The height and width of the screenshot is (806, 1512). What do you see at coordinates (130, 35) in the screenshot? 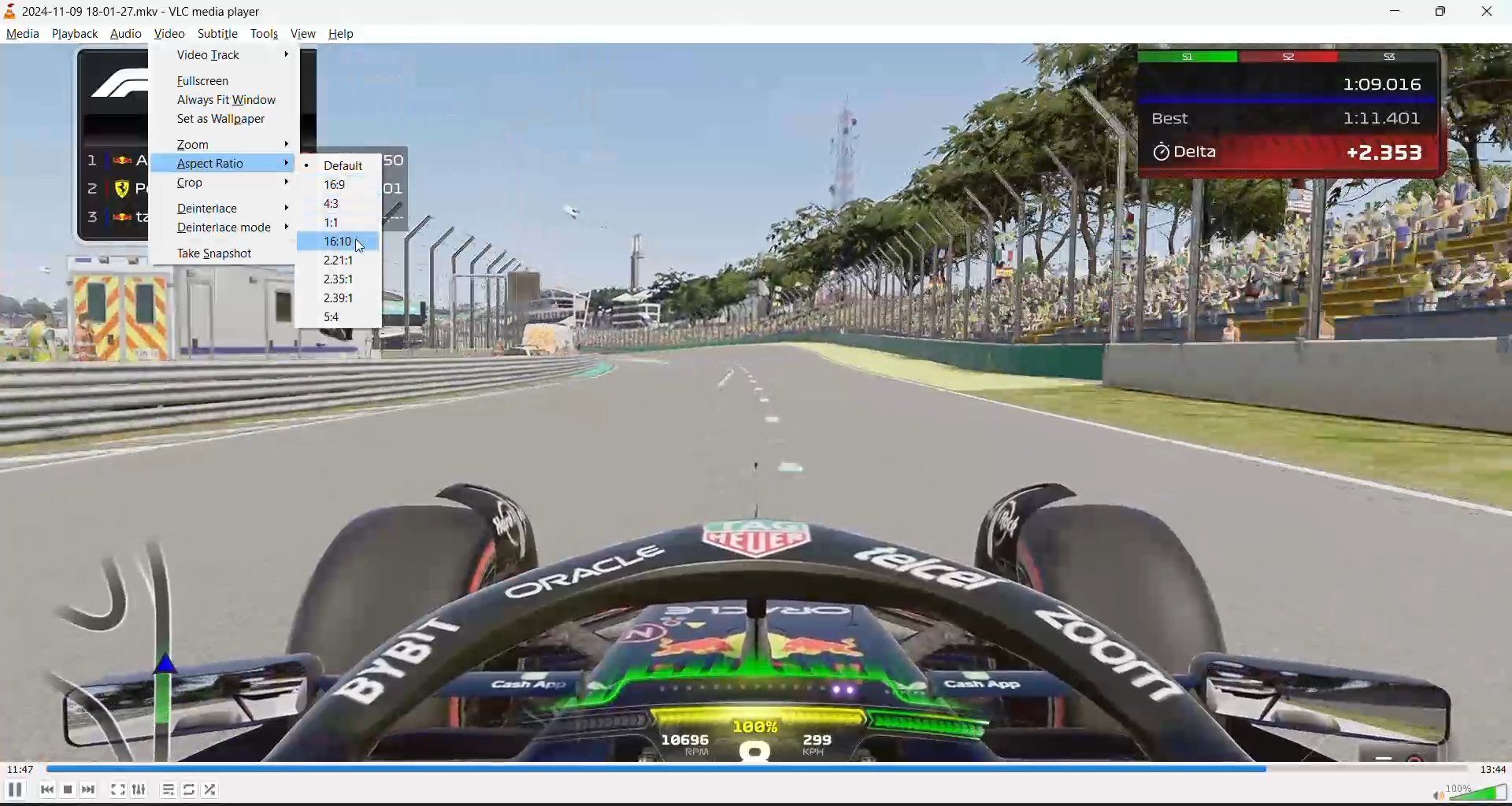
I see `audio` at bounding box center [130, 35].